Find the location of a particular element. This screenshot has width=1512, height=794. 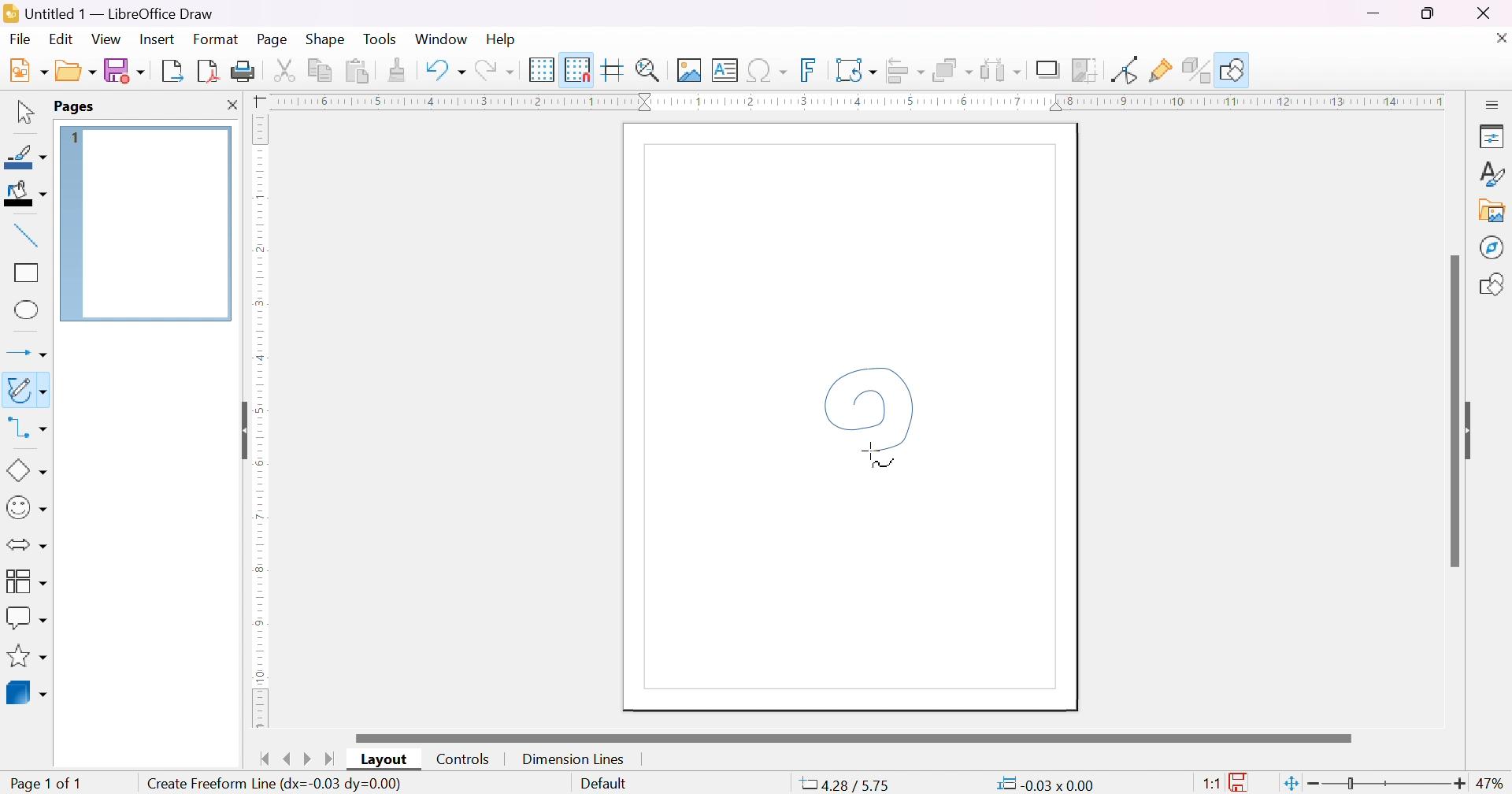

ellipse is located at coordinates (28, 308).